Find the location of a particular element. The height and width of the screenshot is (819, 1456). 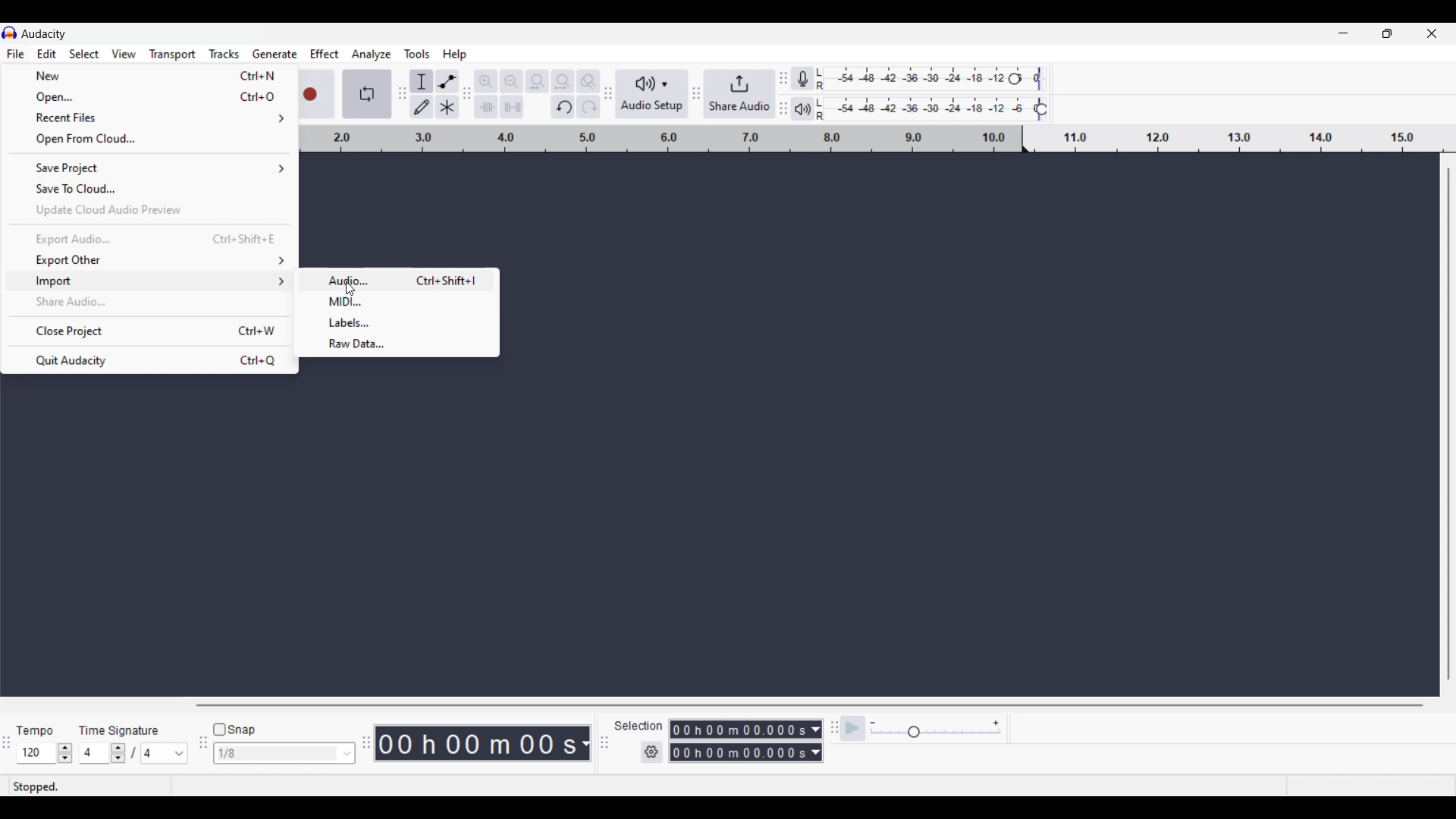

Audio setup is located at coordinates (650, 94).